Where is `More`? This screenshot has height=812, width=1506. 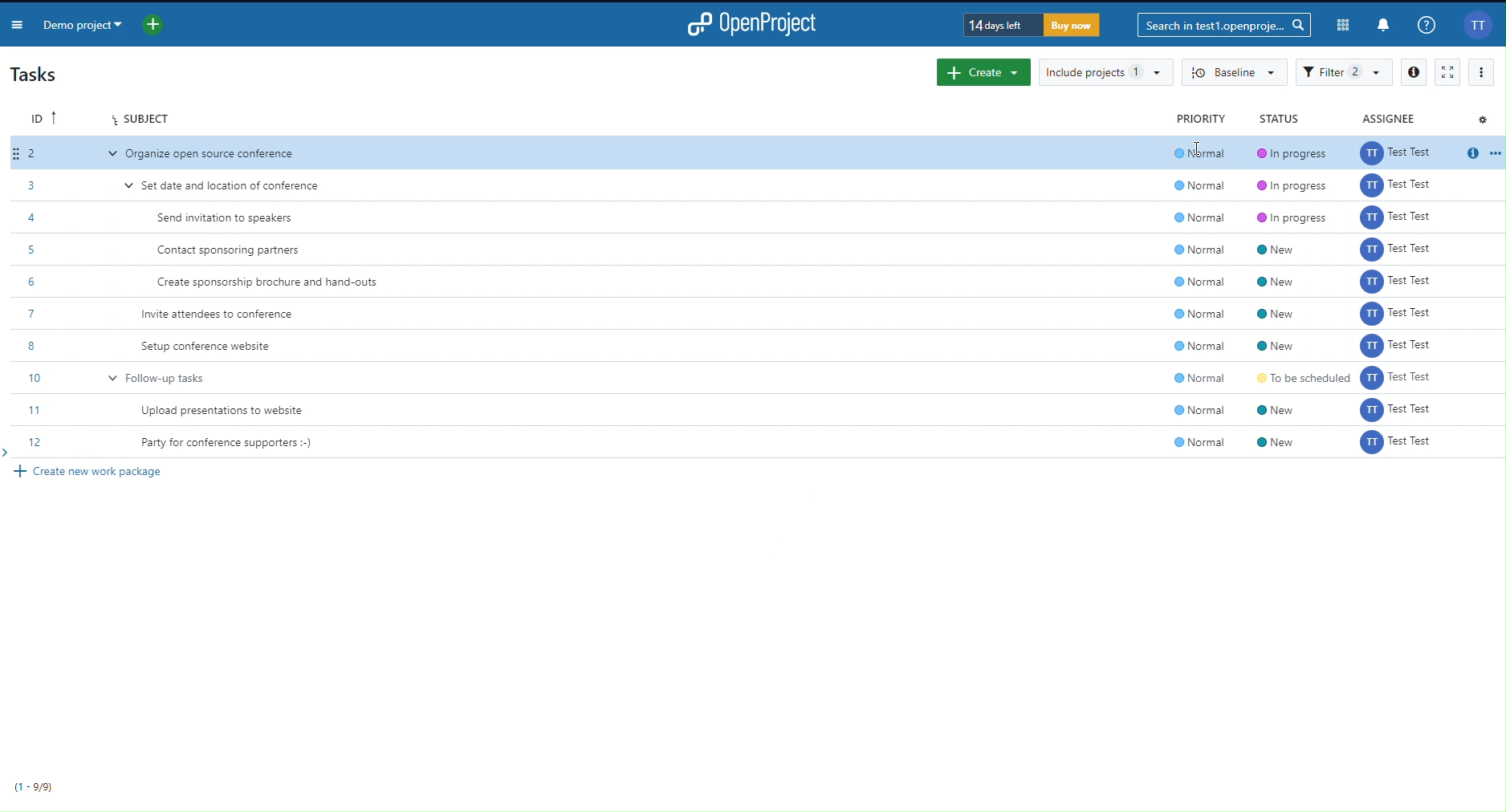 More is located at coordinates (1481, 71).